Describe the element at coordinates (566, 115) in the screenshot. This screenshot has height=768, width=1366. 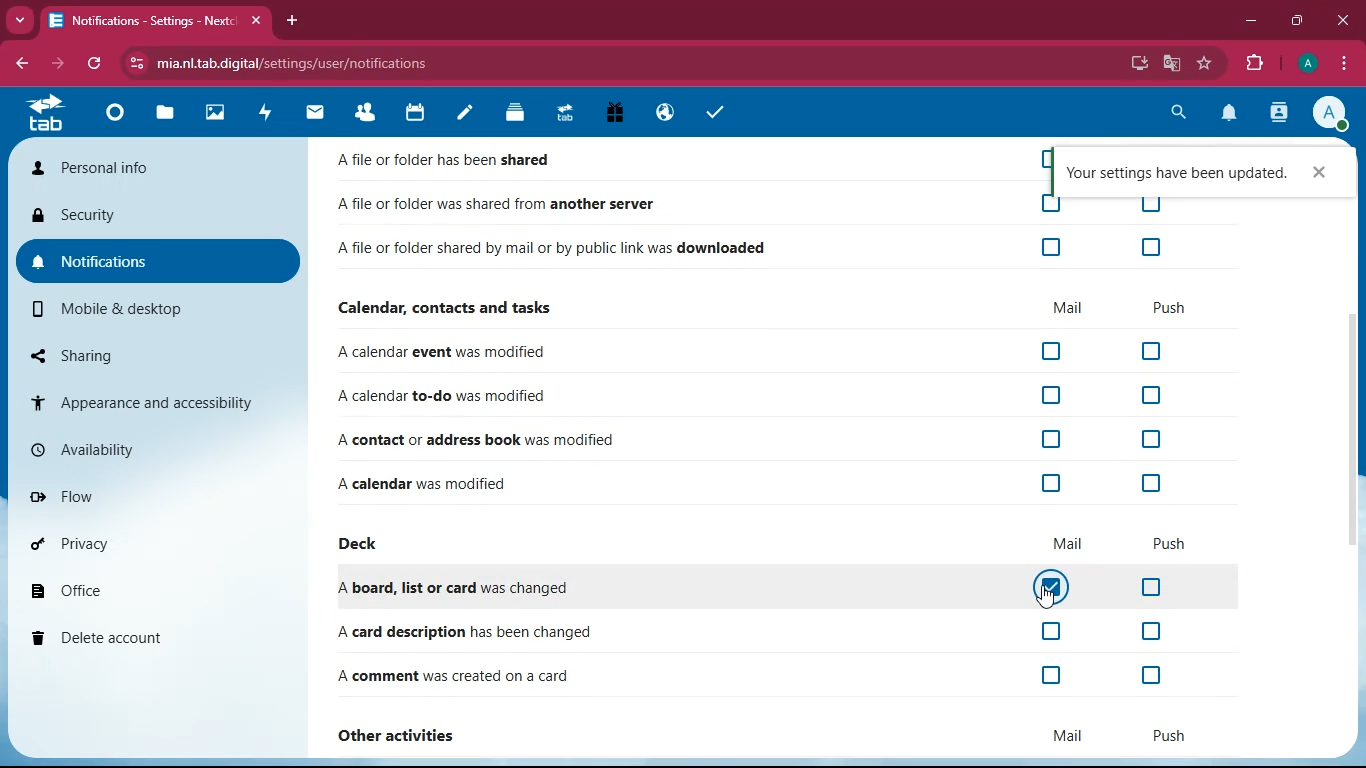
I see `Upgrade` at that location.